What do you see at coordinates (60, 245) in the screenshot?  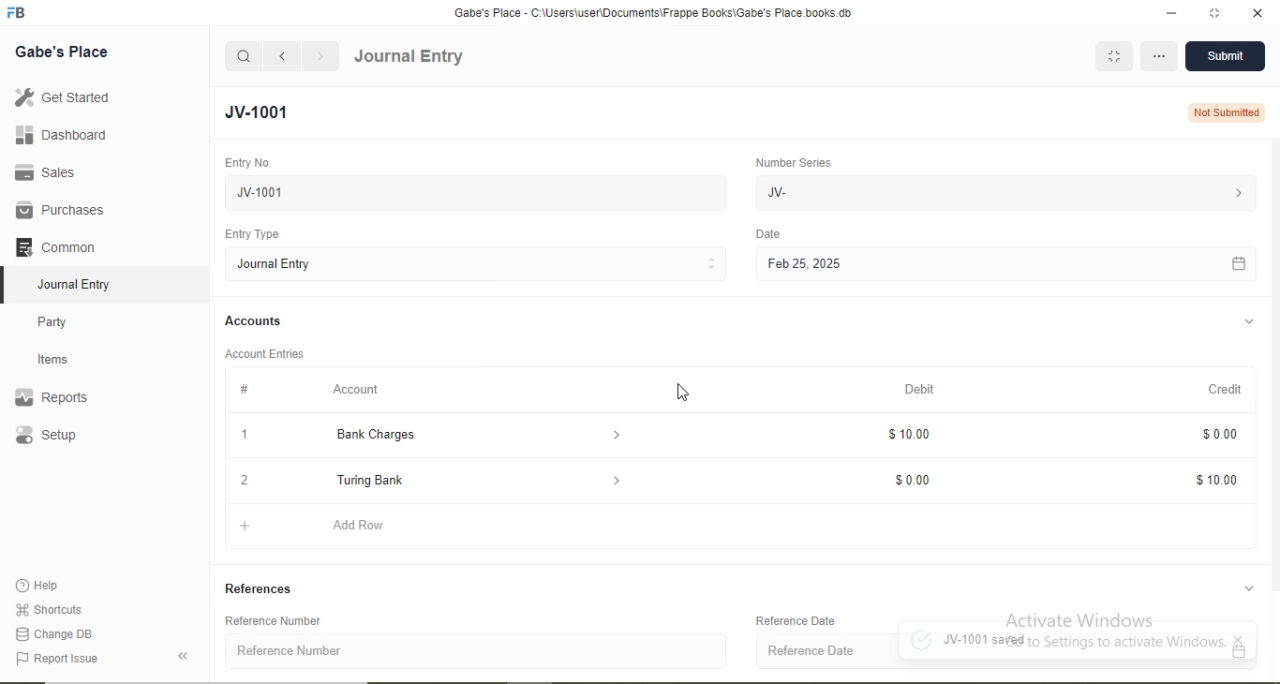 I see `Common` at bounding box center [60, 245].